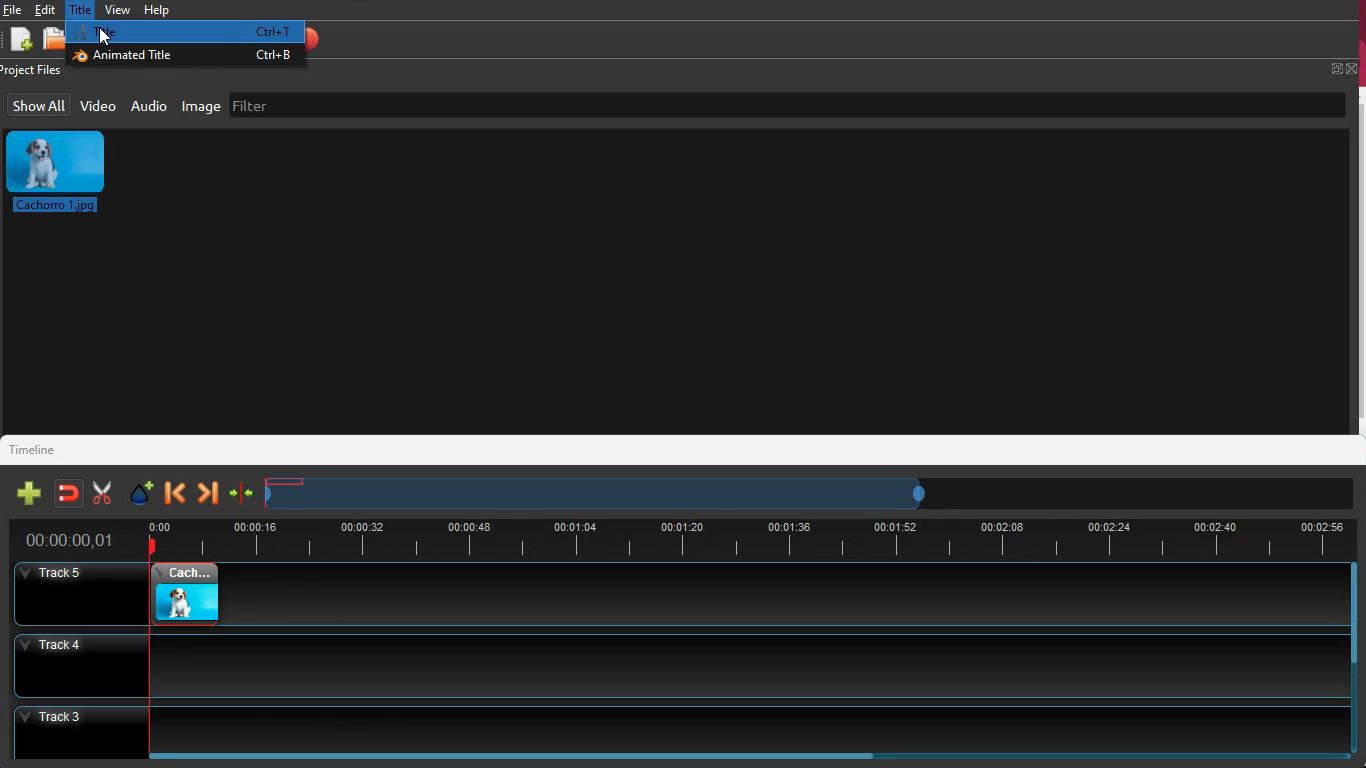 Image resolution: width=1366 pixels, height=768 pixels. What do you see at coordinates (207, 494) in the screenshot?
I see `forward` at bounding box center [207, 494].